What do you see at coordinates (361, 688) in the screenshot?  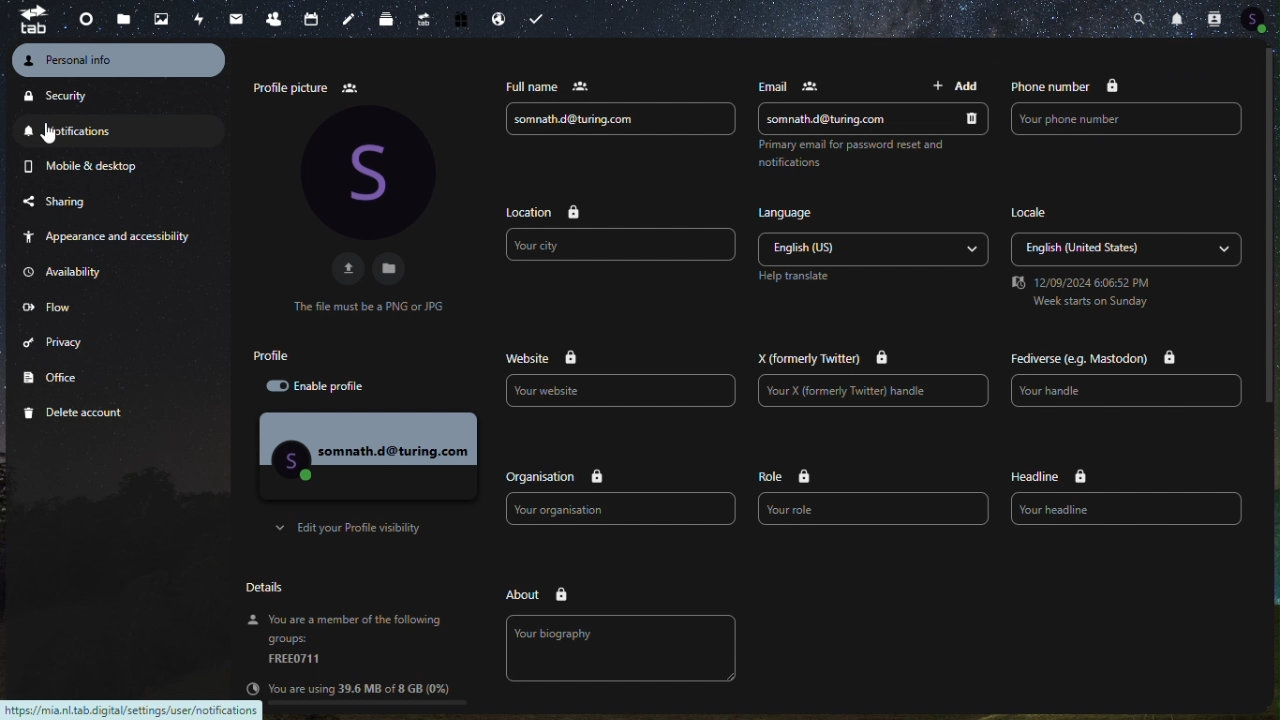 I see `storage` at bounding box center [361, 688].